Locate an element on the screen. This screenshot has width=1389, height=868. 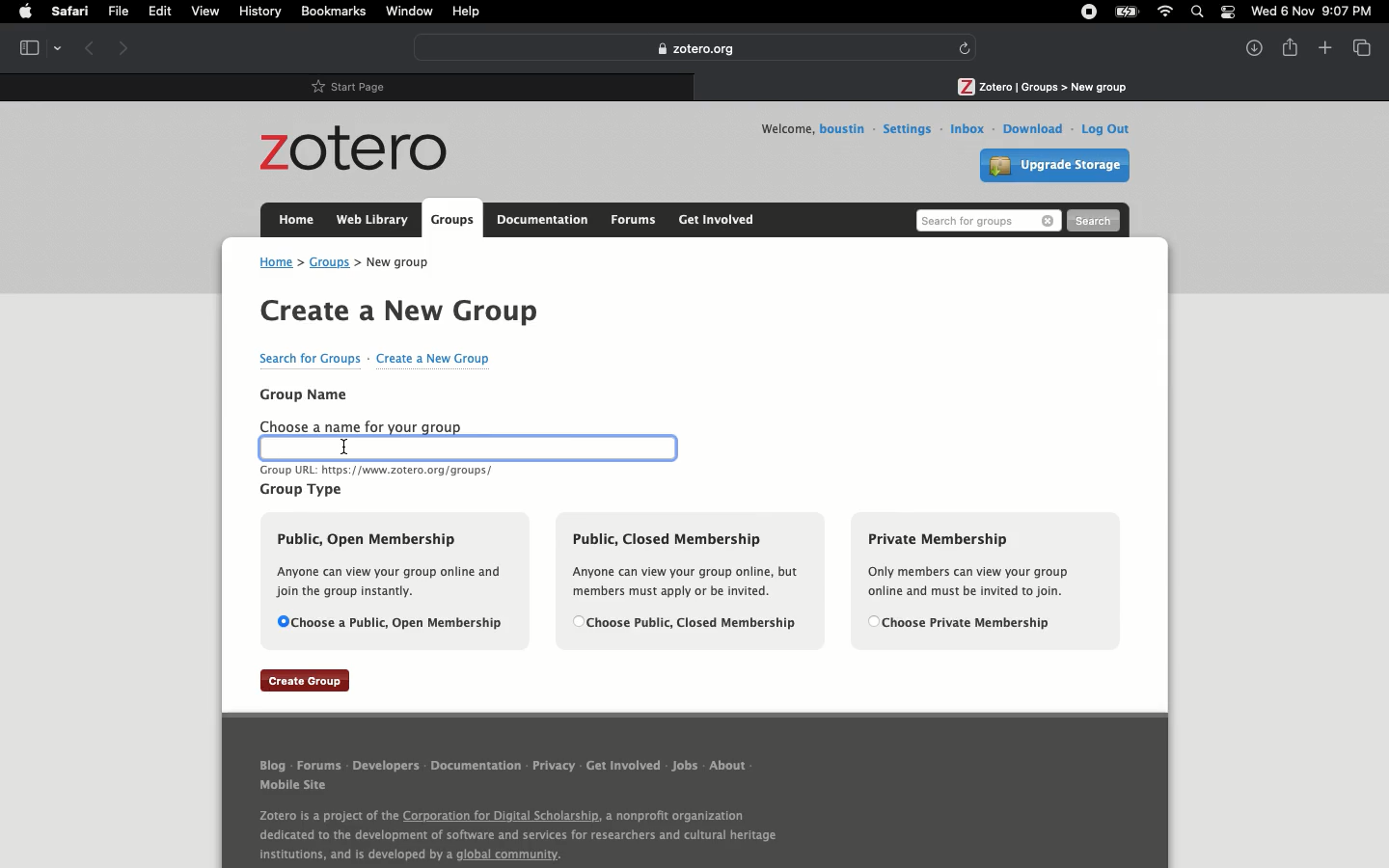
Edit is located at coordinates (164, 14).